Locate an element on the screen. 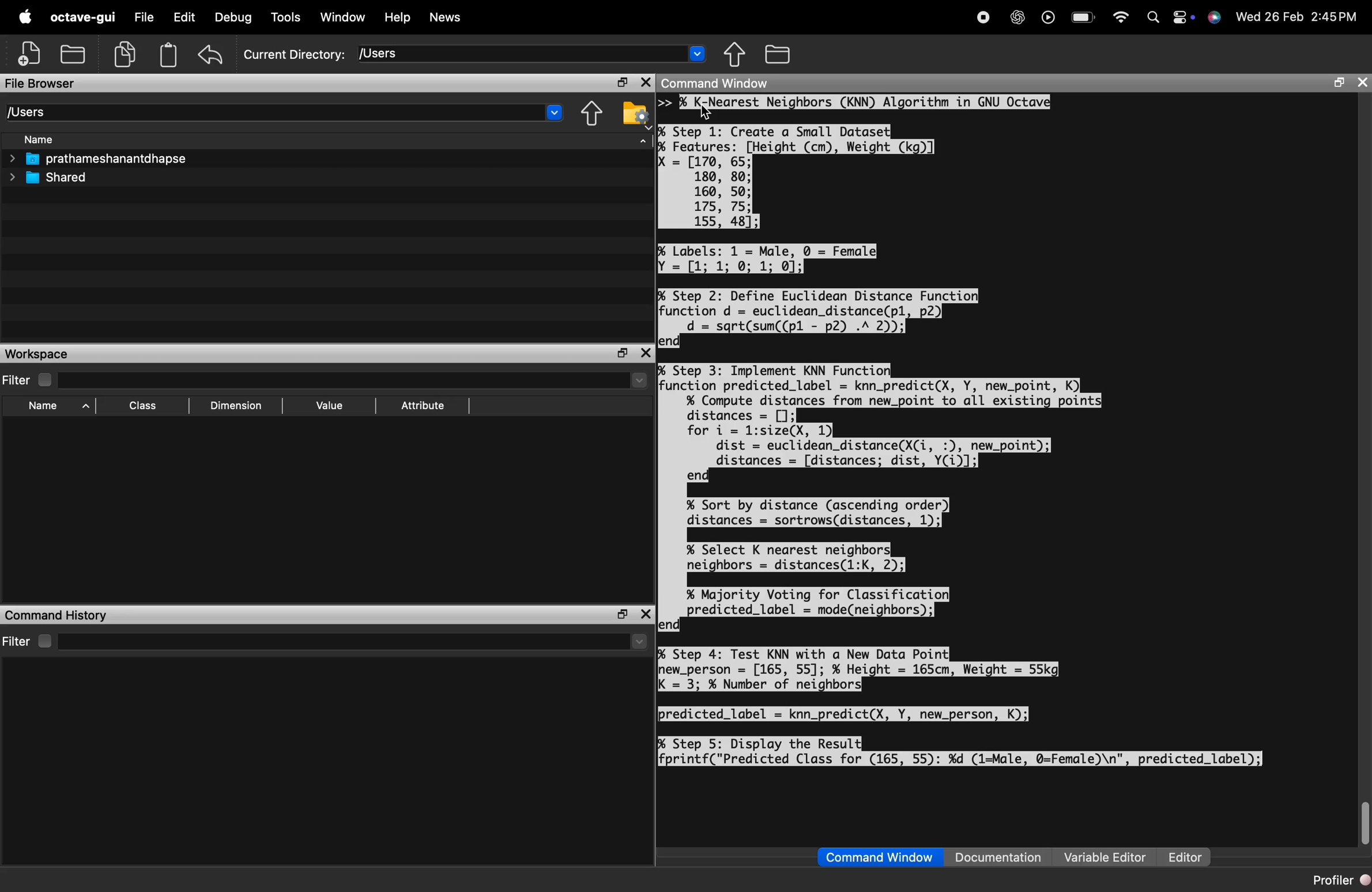 The height and width of the screenshot is (892, 1372). % Select K nearest neighbors
neighbors = distances(1:K, 2);
% Majority Voting for Classification]
¢ predicted_label = mode(neighbors);
lend
% Step 4: Test KNN with a New Data Point]
hew_person = [165, 55]; % Height = 165cm, Weight = 55kg
K = 3; % Number of neighbors]
predicted_label = knn_predict(X, Y, new_person, K);
% Step 5: Display the Result
fprintf("Predicted Class for (165, 55): %d (1=Male, @=Female)\n", predicted_label); is located at coordinates (997, 653).